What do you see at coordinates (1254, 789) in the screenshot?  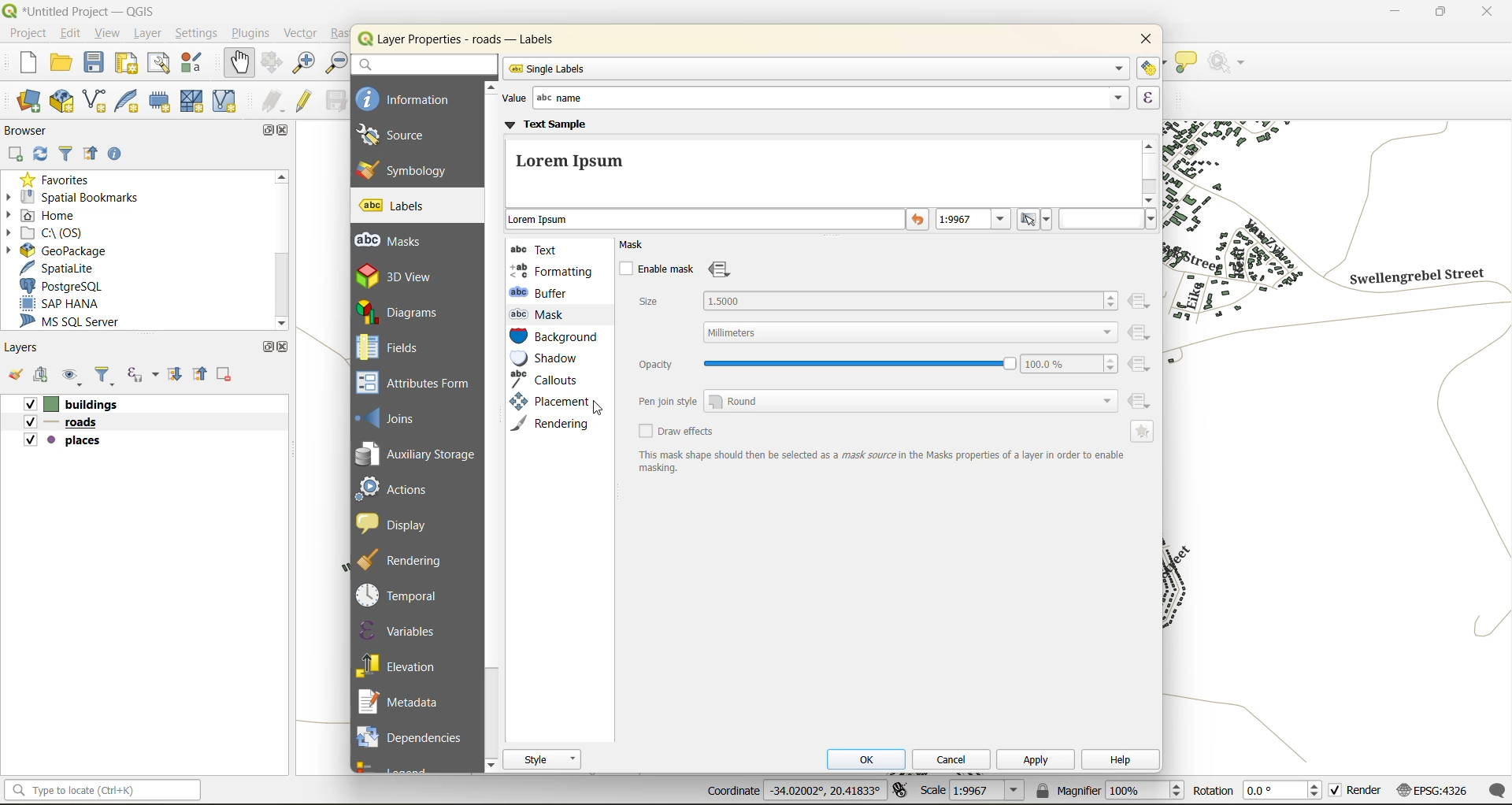 I see `rotation` at bounding box center [1254, 789].